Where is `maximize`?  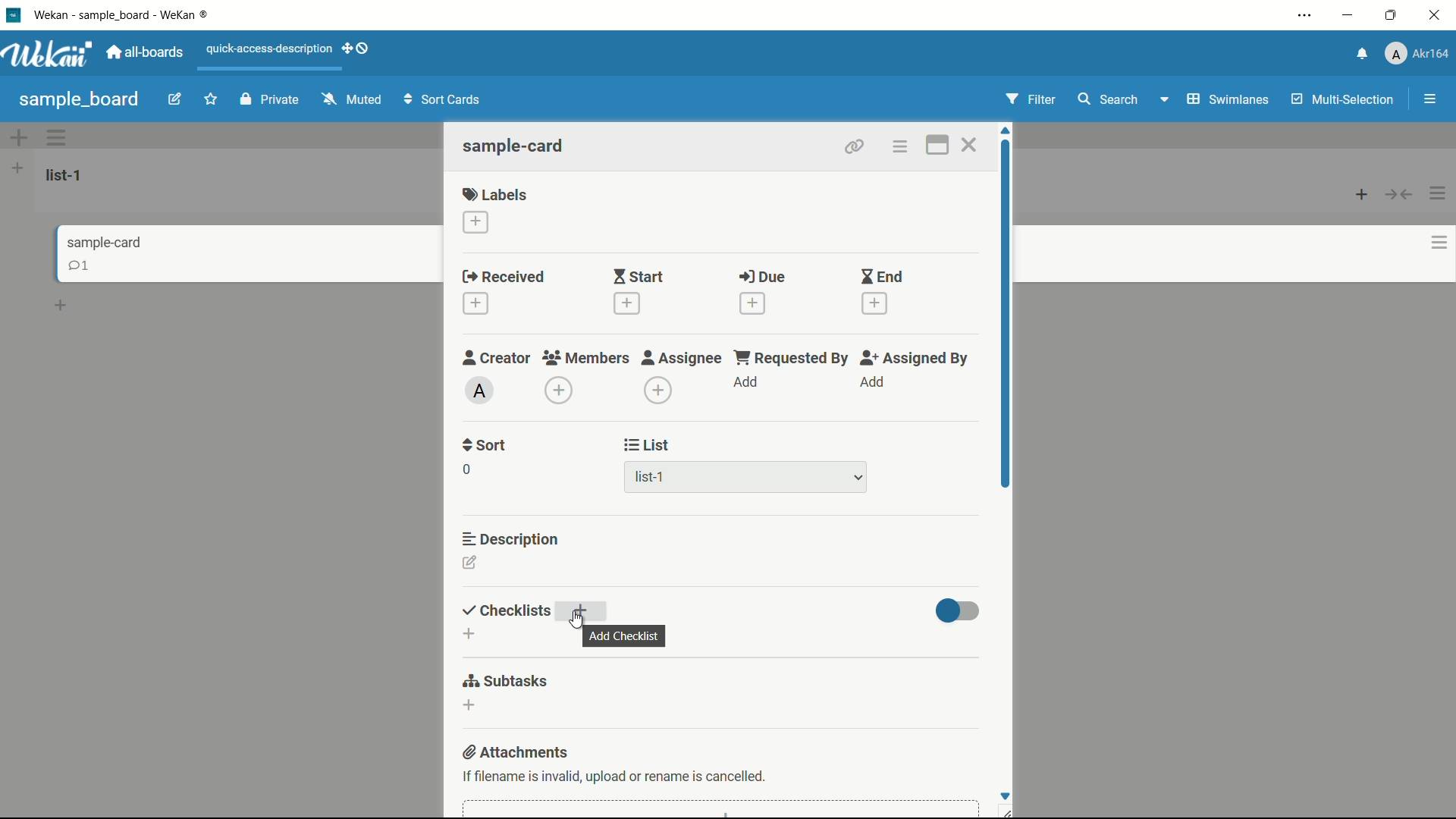
maximize is located at coordinates (1394, 16).